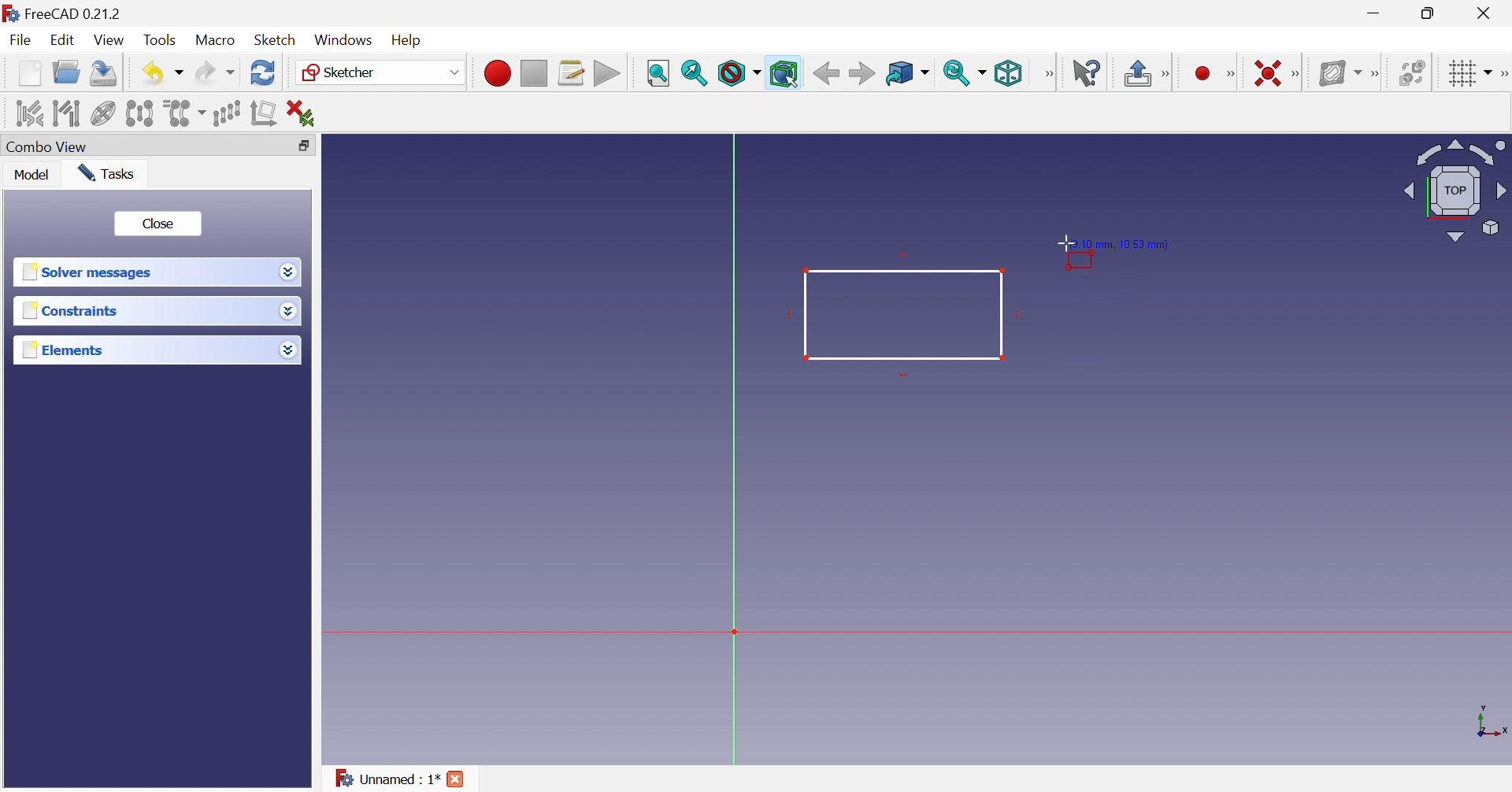 The height and width of the screenshot is (792, 1512). What do you see at coordinates (1484, 13) in the screenshot?
I see `Close` at bounding box center [1484, 13].